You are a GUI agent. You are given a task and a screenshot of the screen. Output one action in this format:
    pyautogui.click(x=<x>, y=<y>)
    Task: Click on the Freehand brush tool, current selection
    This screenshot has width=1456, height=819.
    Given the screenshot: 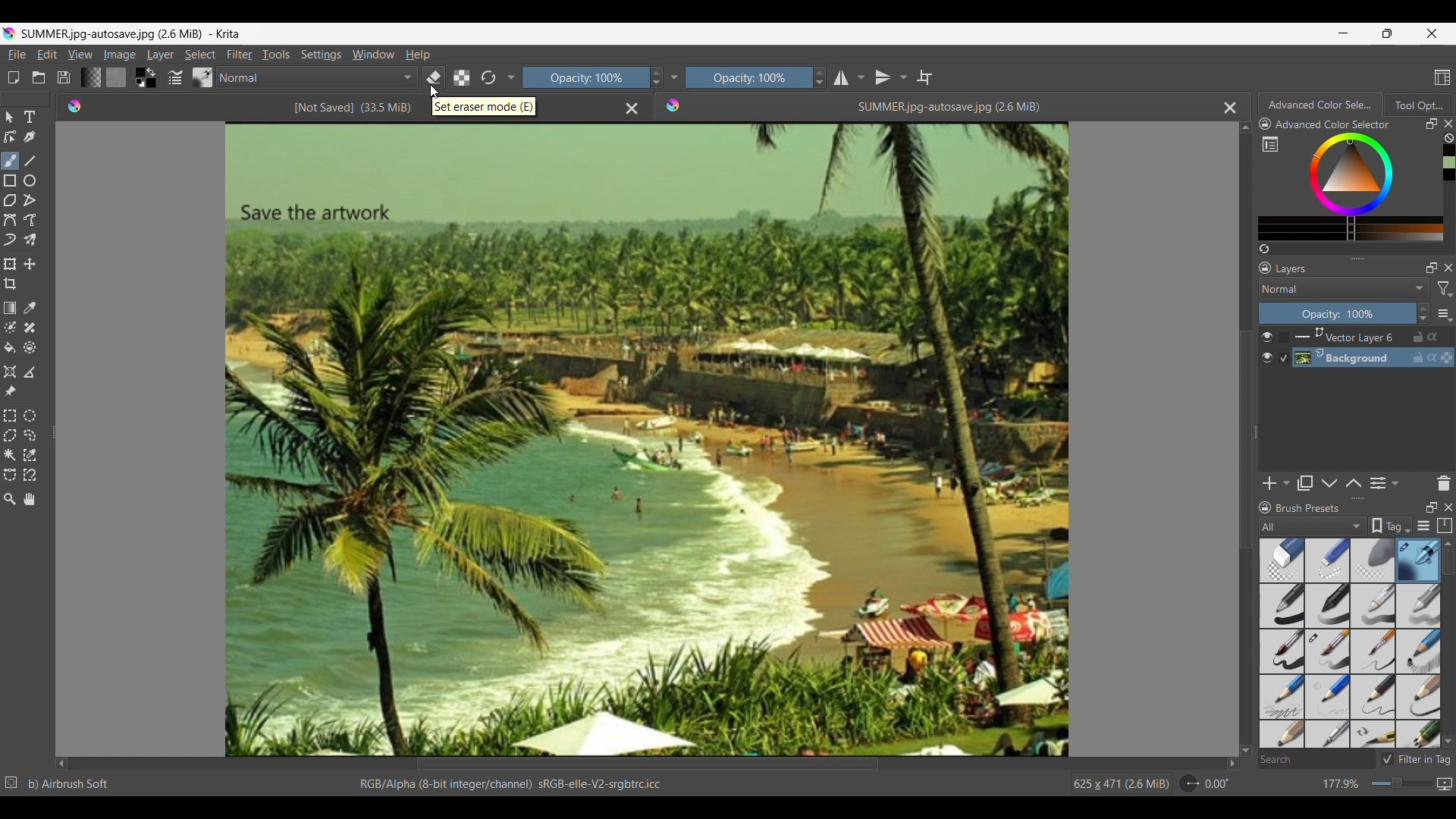 What is the action you would take?
    pyautogui.click(x=11, y=161)
    